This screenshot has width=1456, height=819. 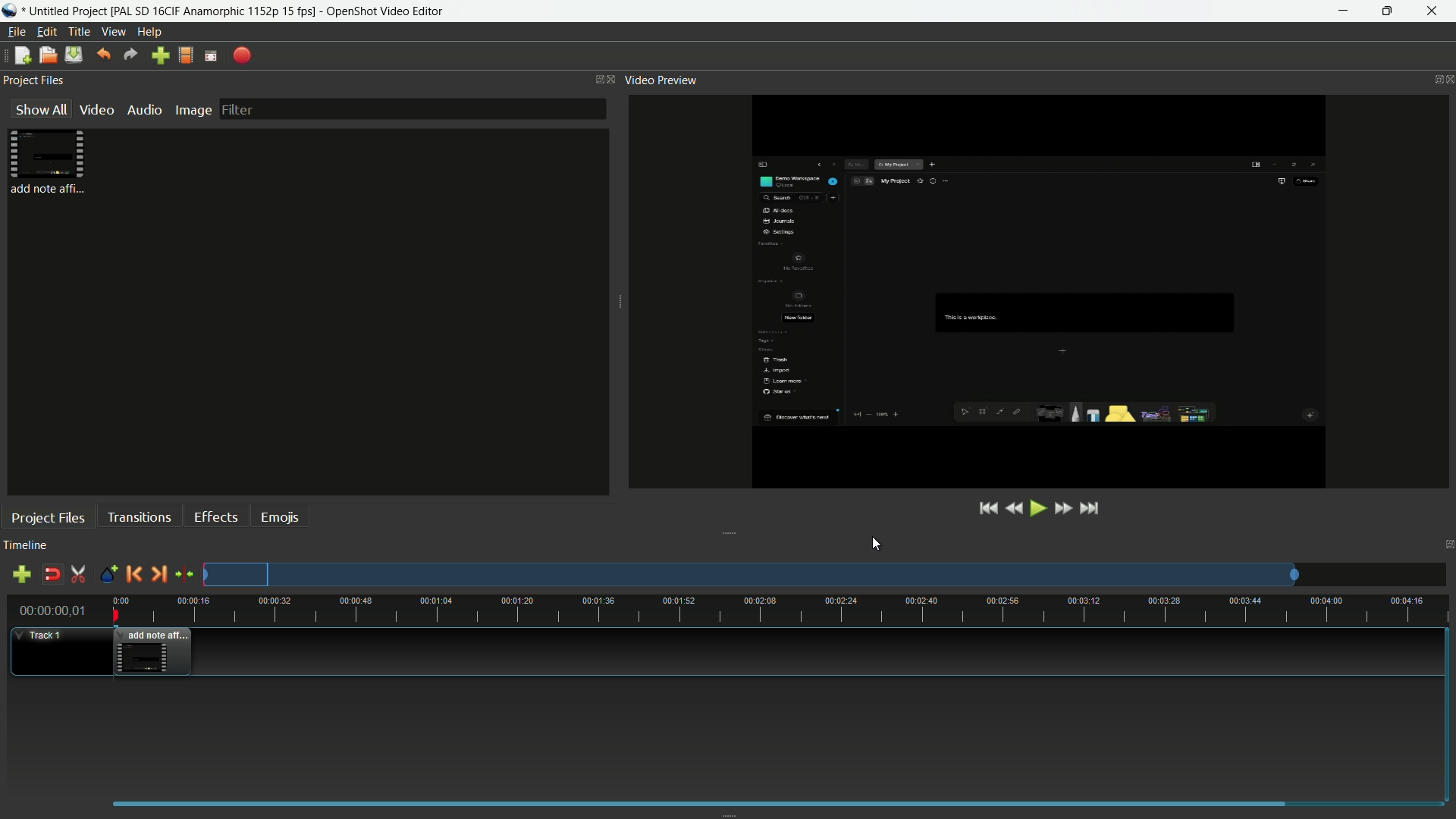 What do you see at coordinates (46, 56) in the screenshot?
I see `open file` at bounding box center [46, 56].